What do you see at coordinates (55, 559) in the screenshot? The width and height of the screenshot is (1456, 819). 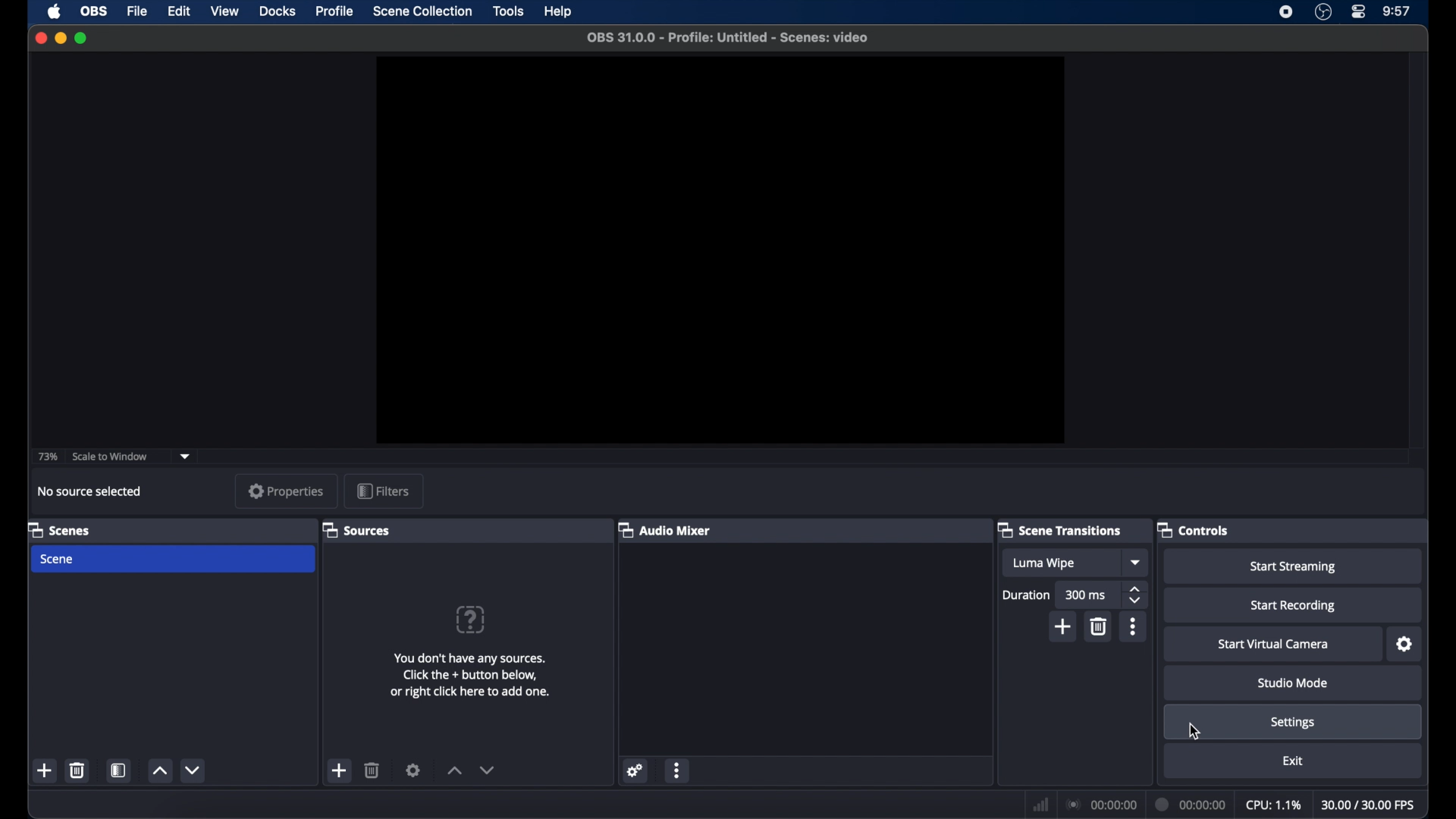 I see `scene` at bounding box center [55, 559].